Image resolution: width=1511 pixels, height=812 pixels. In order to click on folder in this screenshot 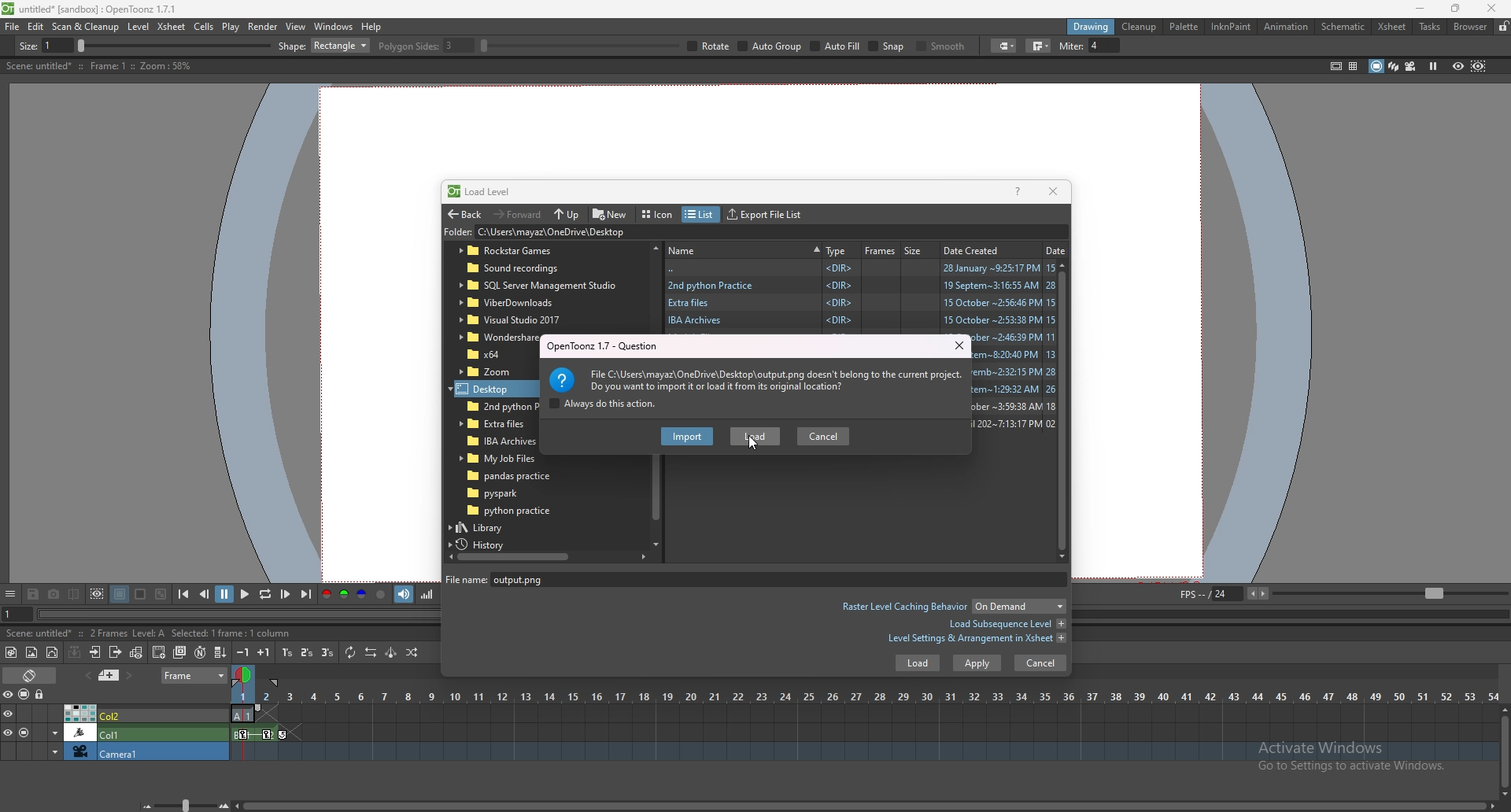, I will do `click(512, 511)`.